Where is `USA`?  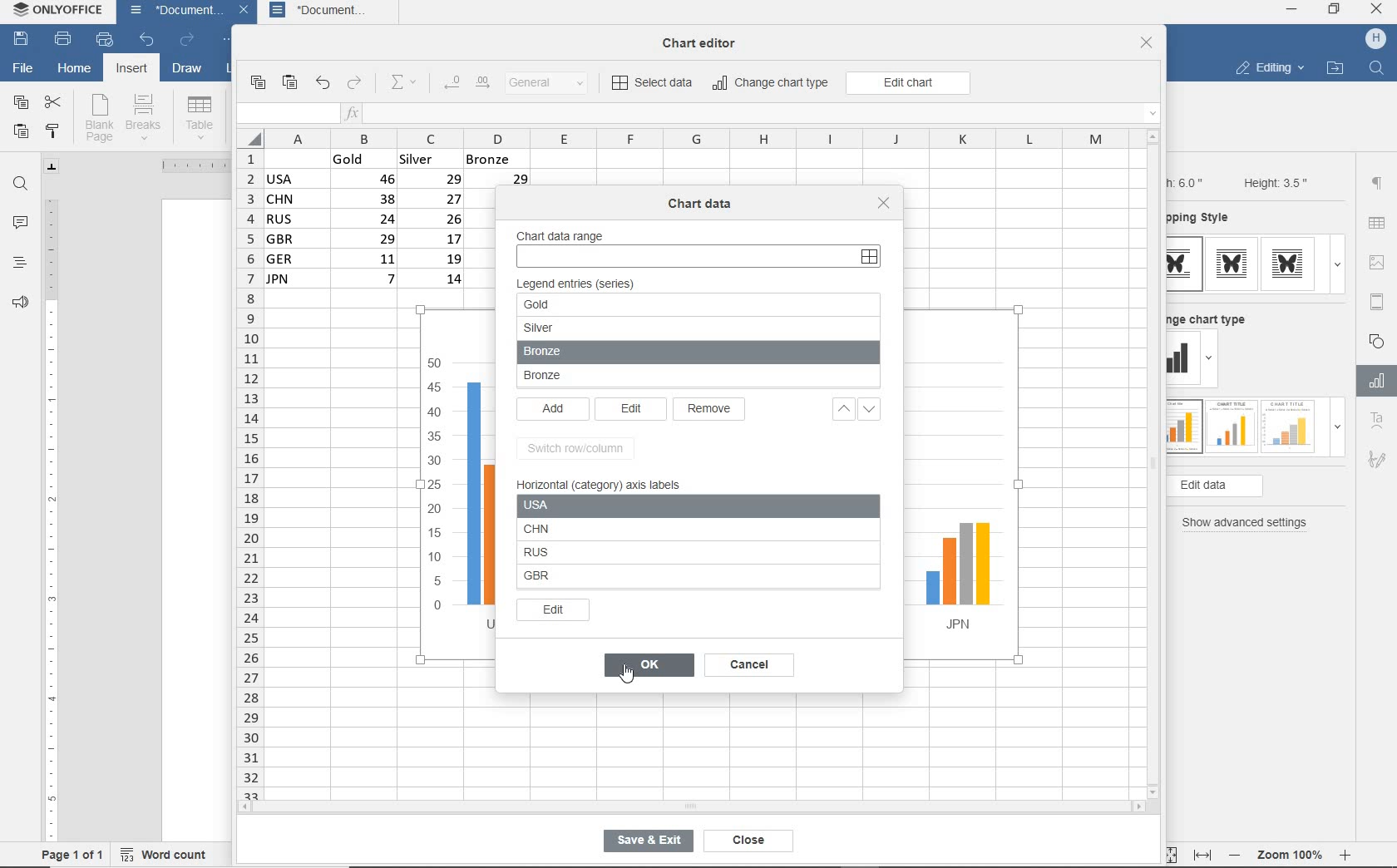 USA is located at coordinates (665, 506).